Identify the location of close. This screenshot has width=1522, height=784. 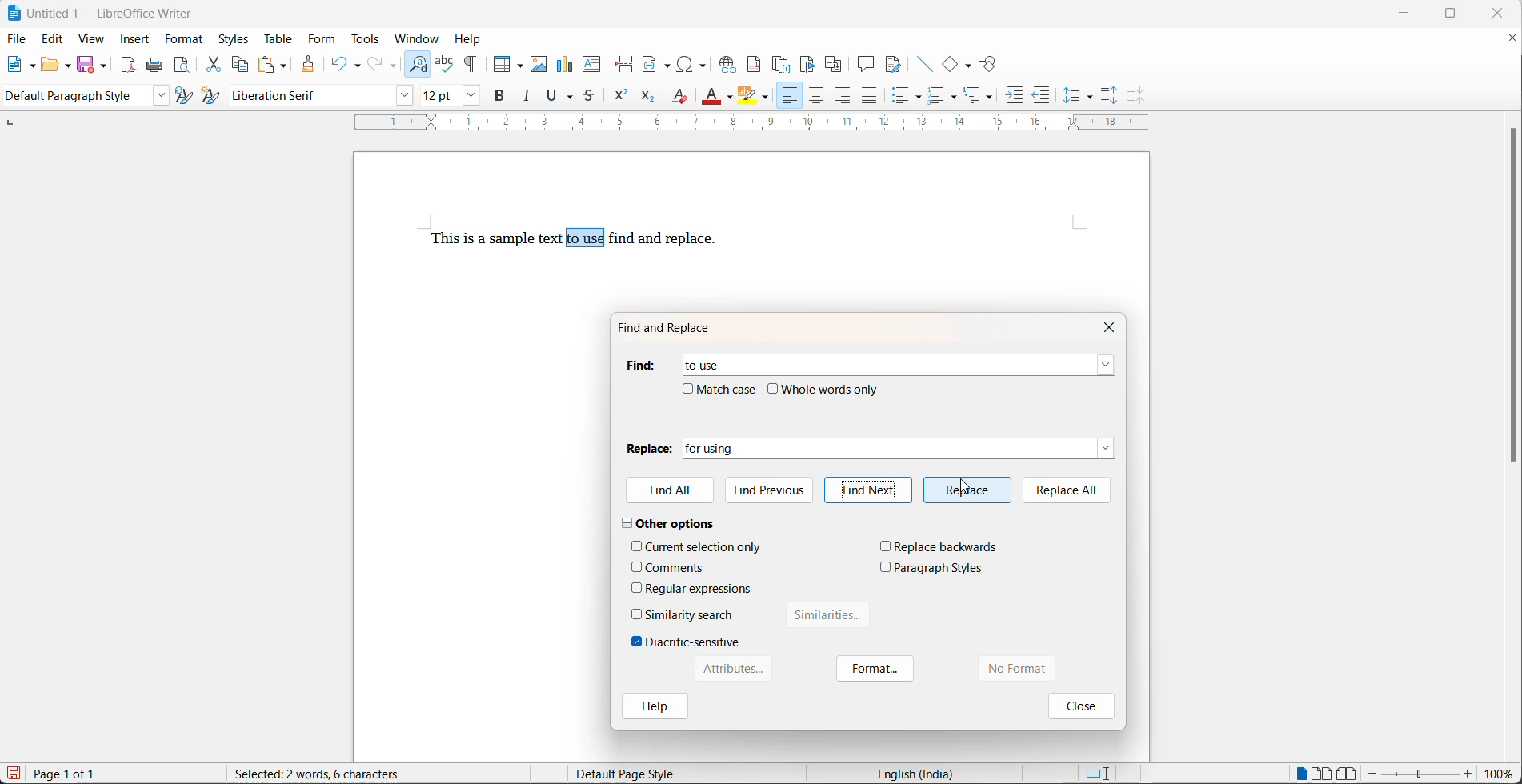
(1113, 326).